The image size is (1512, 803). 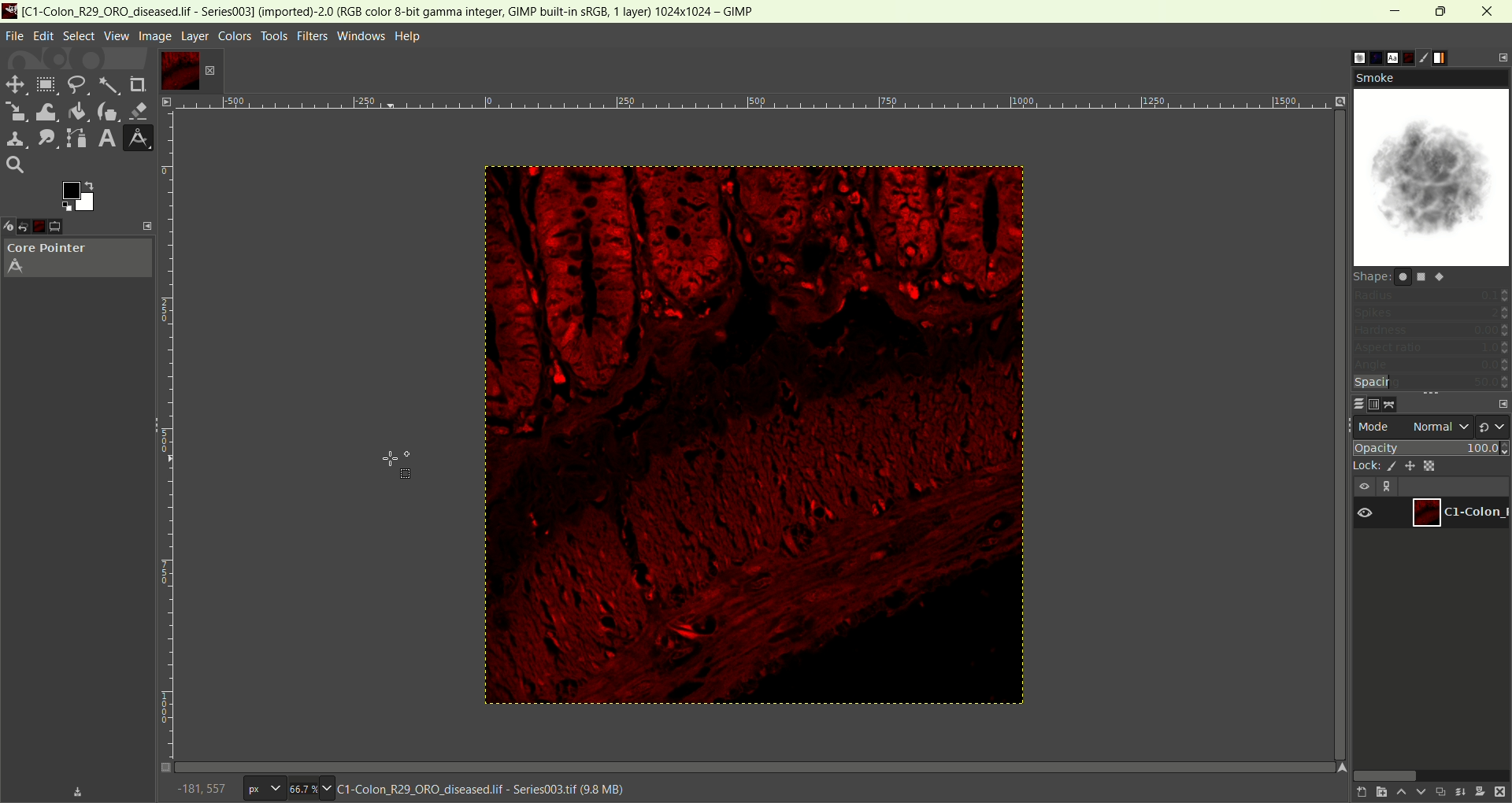 I want to click on help, so click(x=409, y=37).